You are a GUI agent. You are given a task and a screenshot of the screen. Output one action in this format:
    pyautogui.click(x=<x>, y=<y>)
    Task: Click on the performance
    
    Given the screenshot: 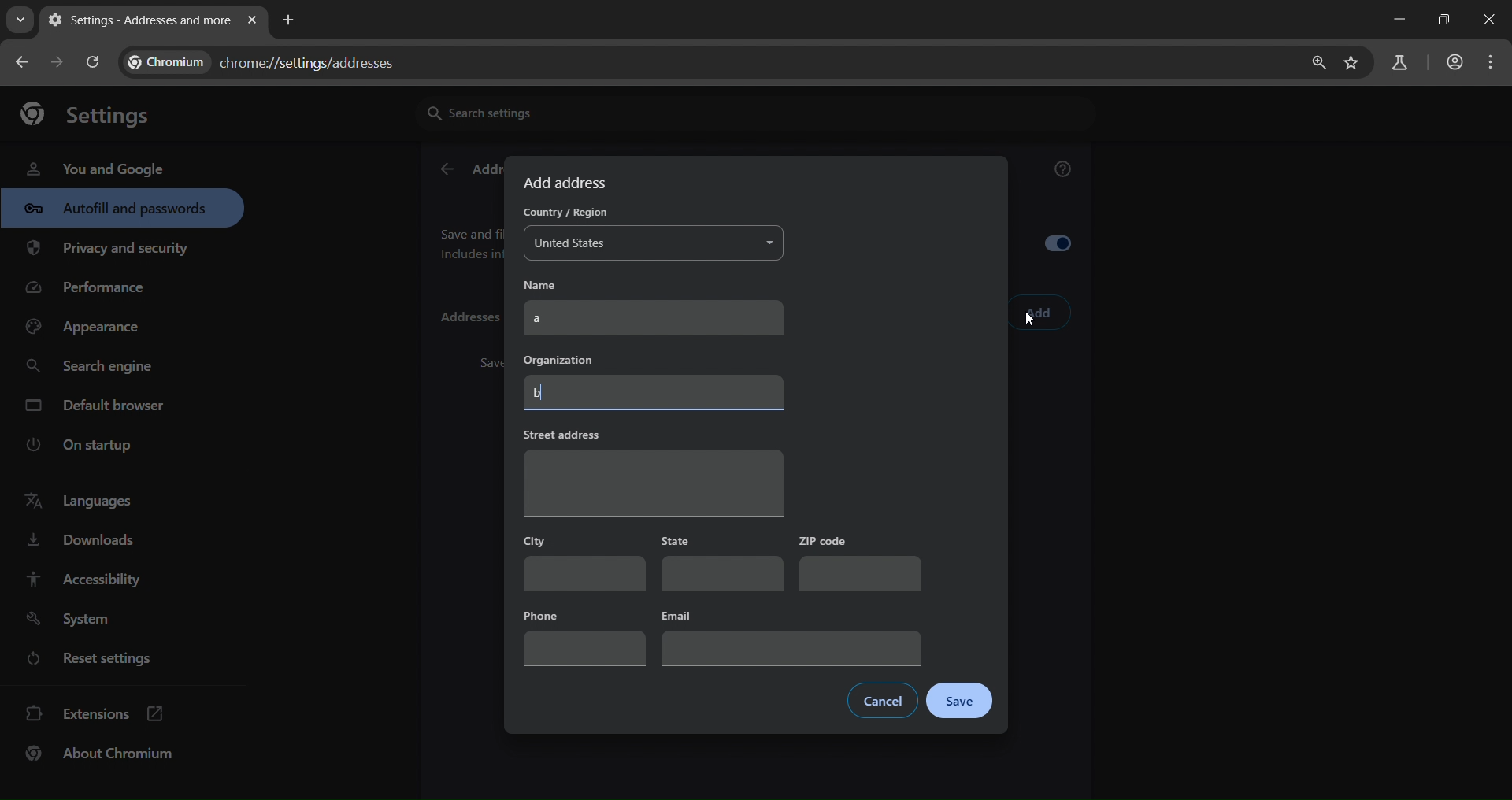 What is the action you would take?
    pyautogui.click(x=91, y=291)
    